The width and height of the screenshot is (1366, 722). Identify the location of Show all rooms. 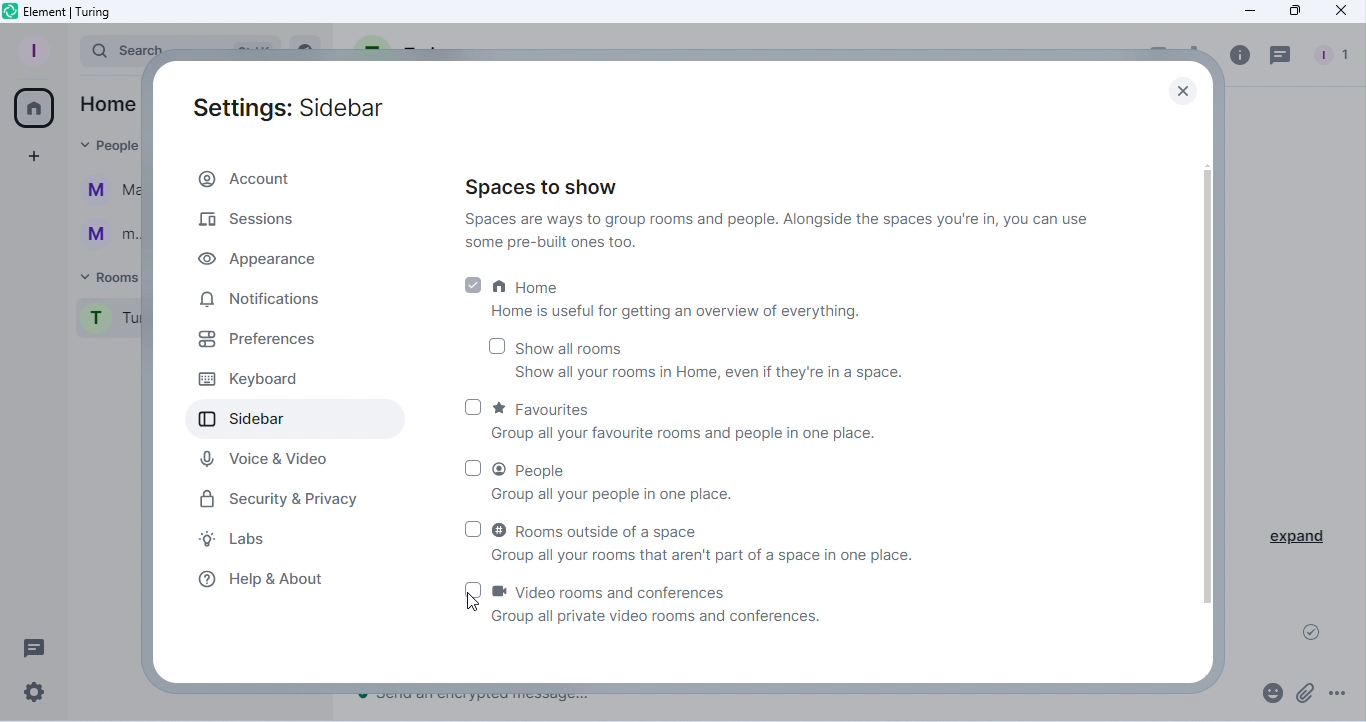
(684, 358).